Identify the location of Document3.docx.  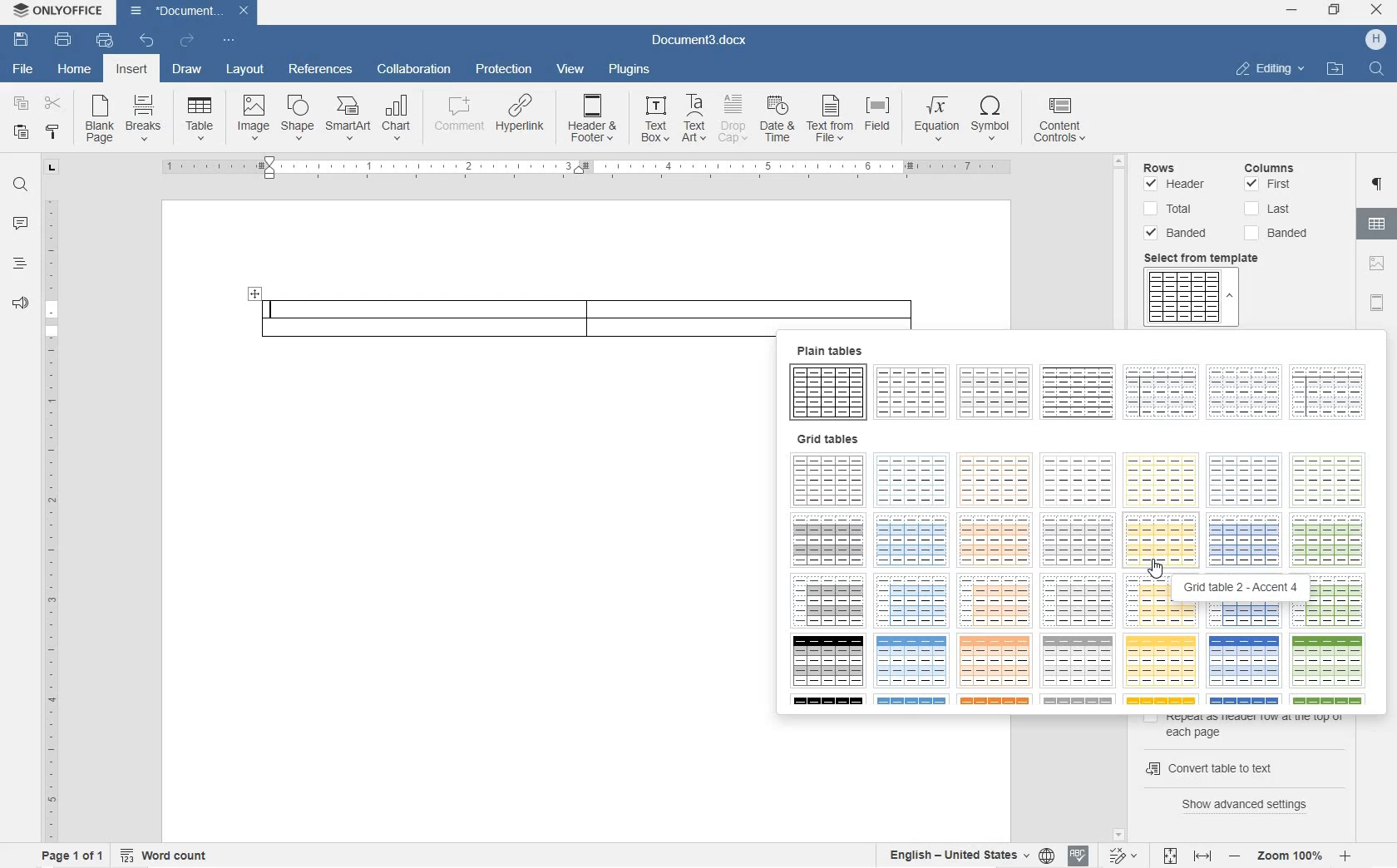
(190, 11).